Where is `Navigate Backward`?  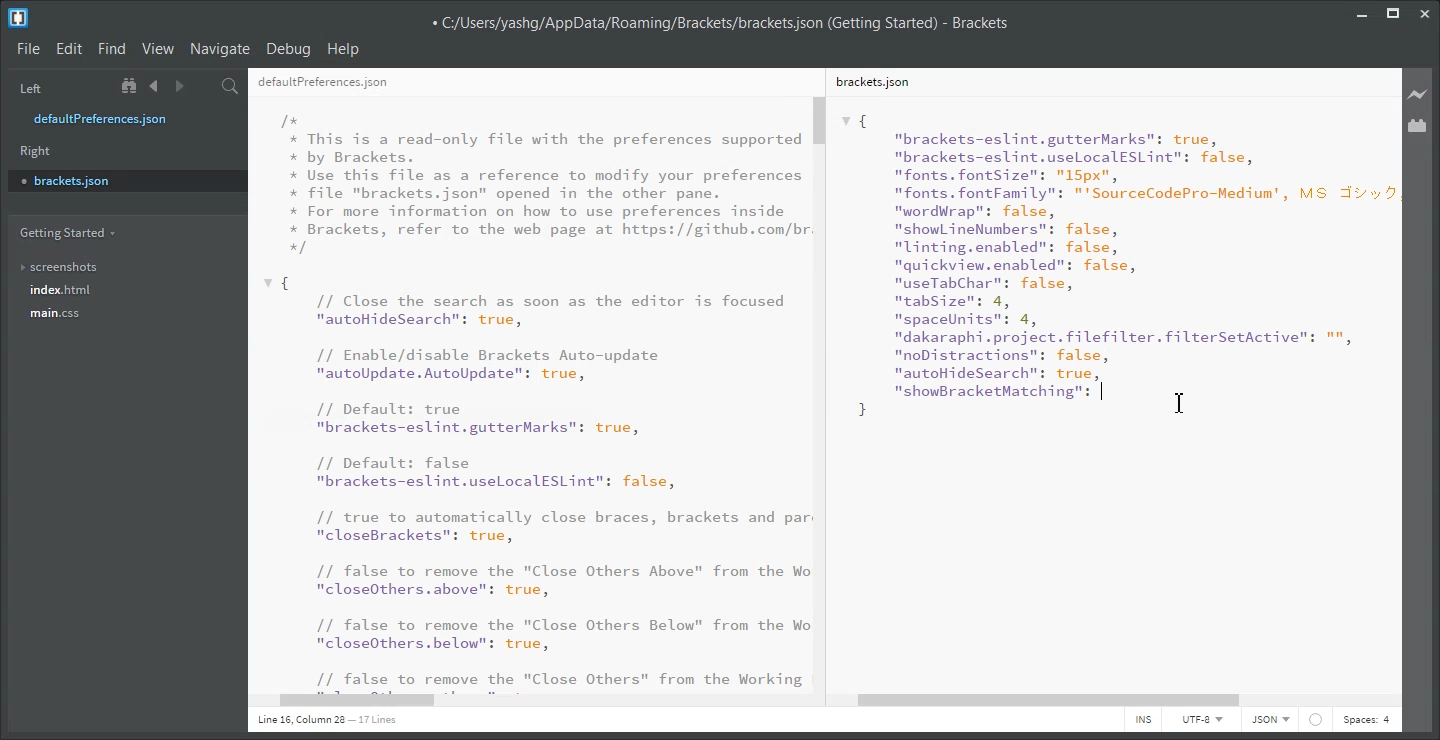
Navigate Backward is located at coordinates (154, 86).